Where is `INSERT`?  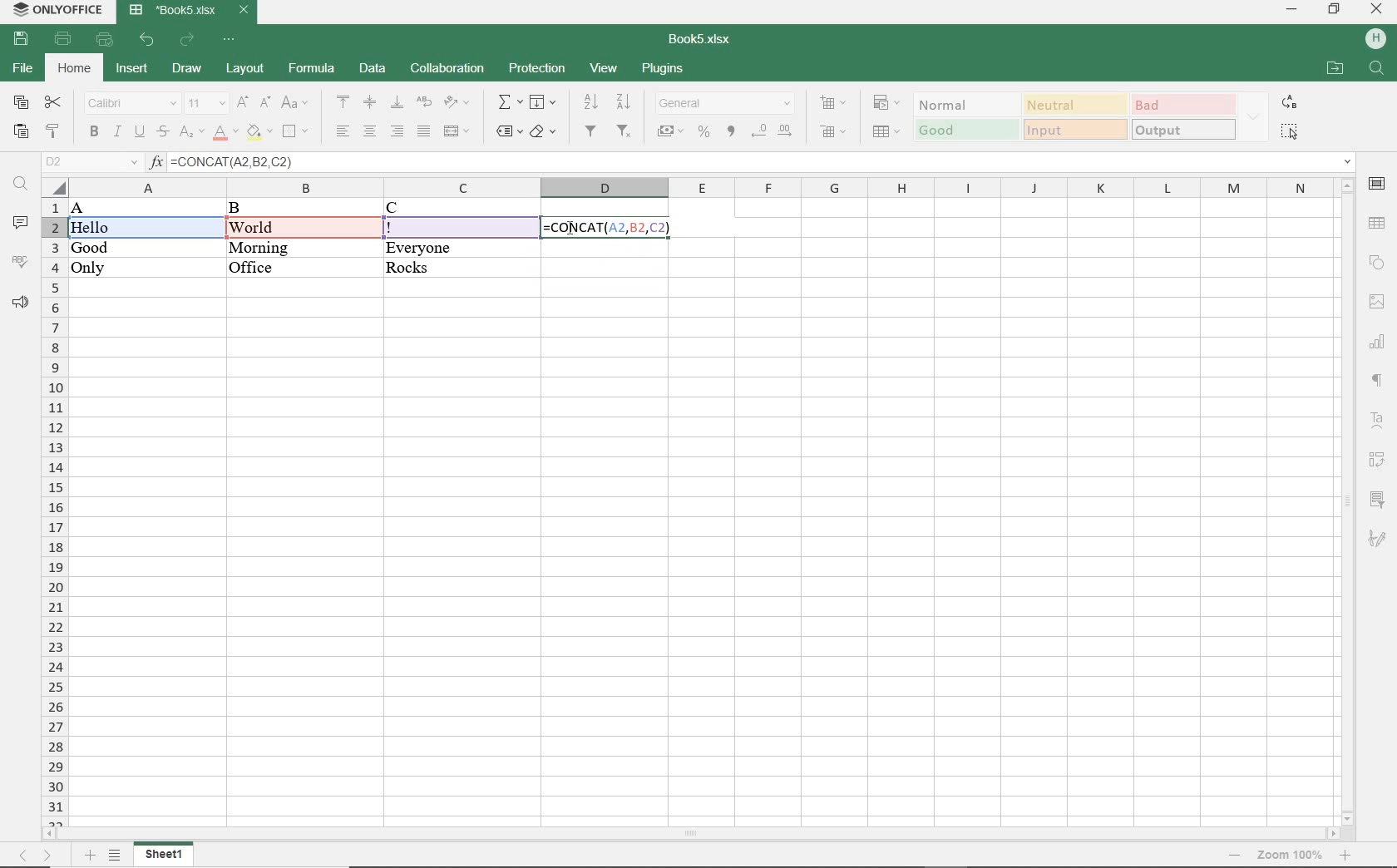
INSERT is located at coordinates (133, 67).